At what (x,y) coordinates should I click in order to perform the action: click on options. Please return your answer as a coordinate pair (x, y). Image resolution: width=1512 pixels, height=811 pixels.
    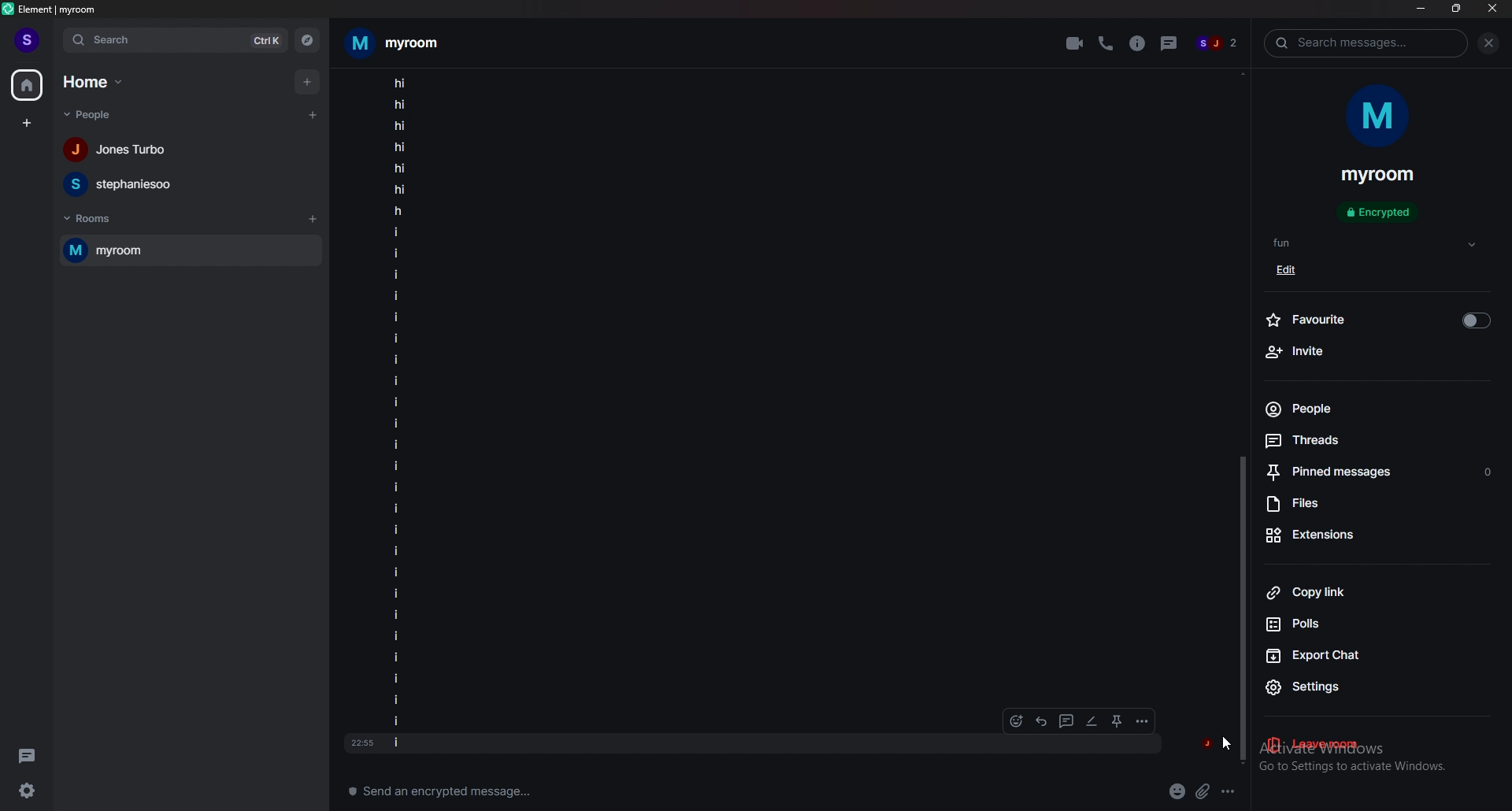
    Looking at the image, I should click on (1140, 721).